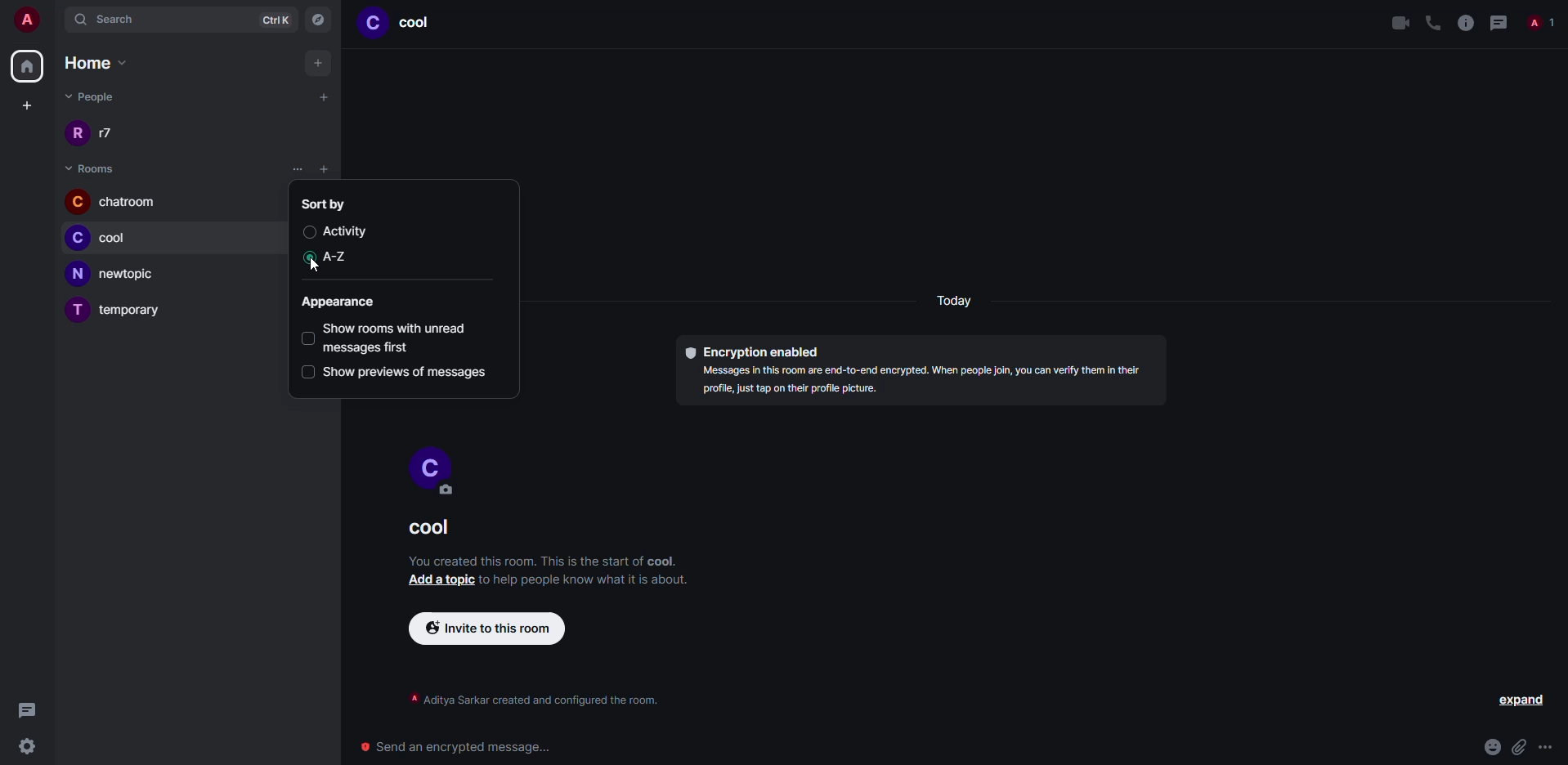  Describe the element at coordinates (373, 24) in the screenshot. I see `profile` at that location.